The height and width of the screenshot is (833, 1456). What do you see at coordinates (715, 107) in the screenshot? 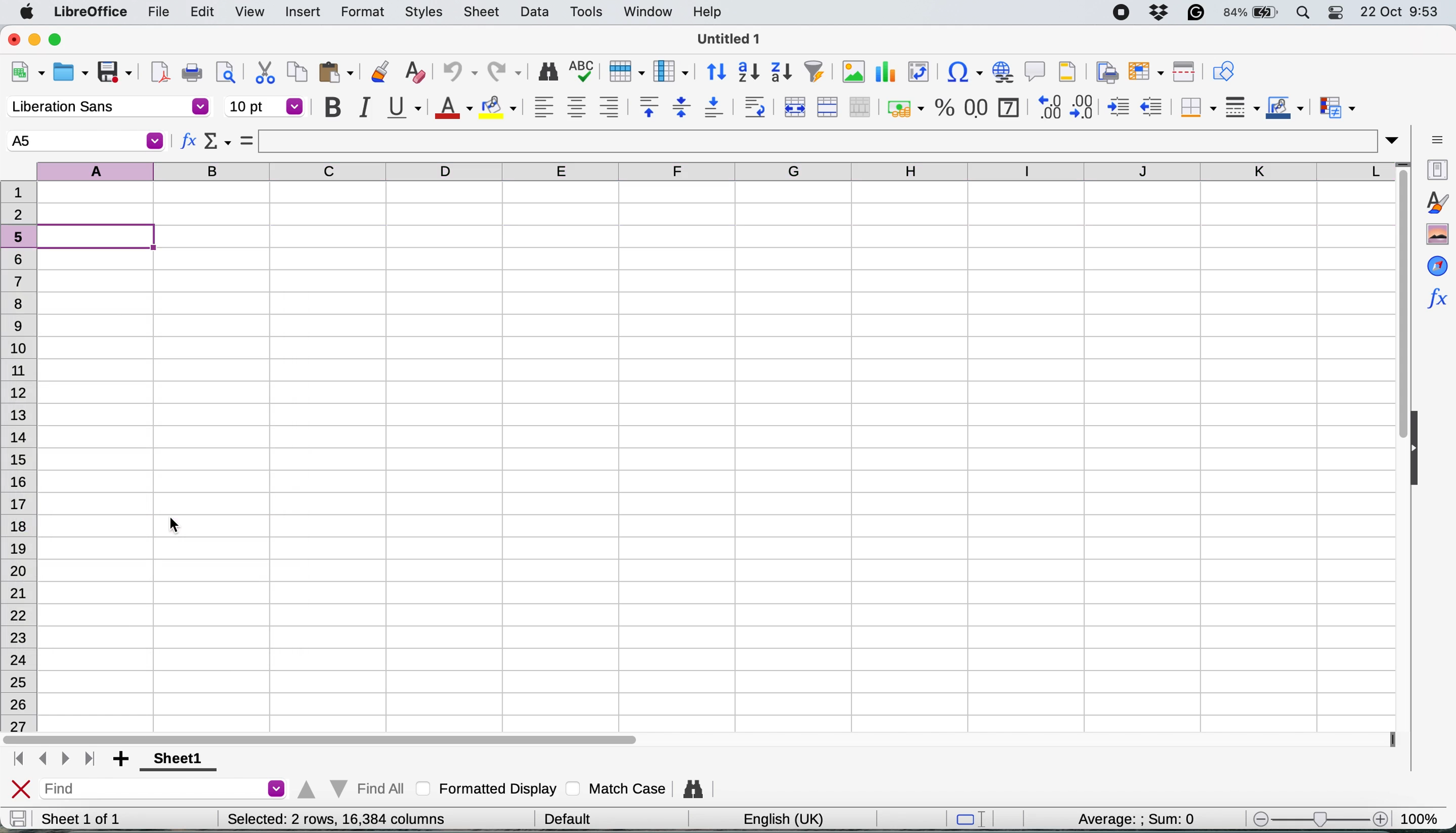
I see `align bottom` at bounding box center [715, 107].